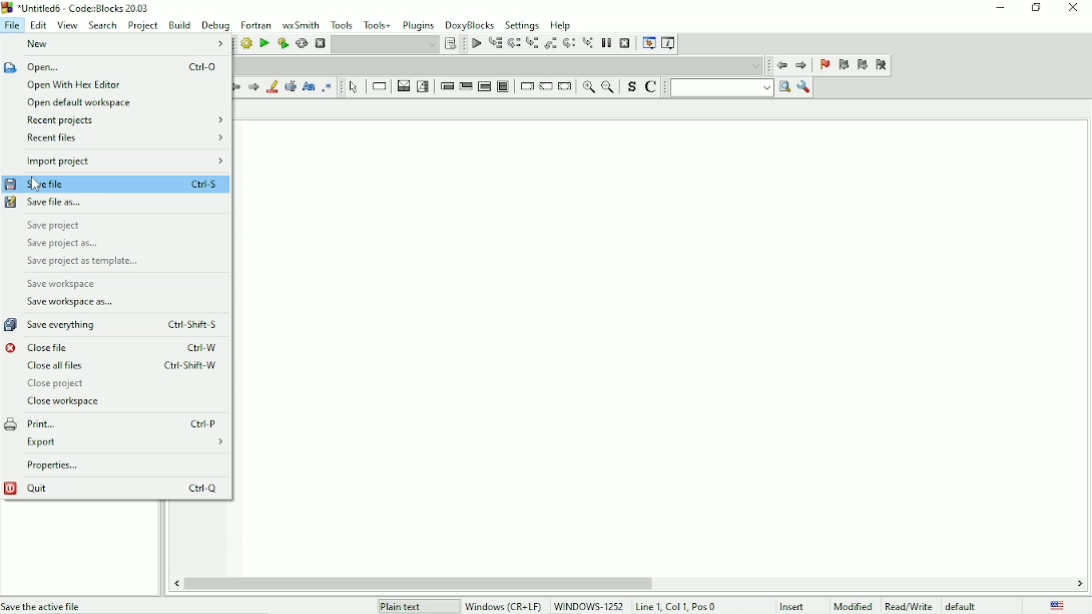 This screenshot has width=1092, height=614. Describe the element at coordinates (630, 87) in the screenshot. I see `Toggle source` at that location.